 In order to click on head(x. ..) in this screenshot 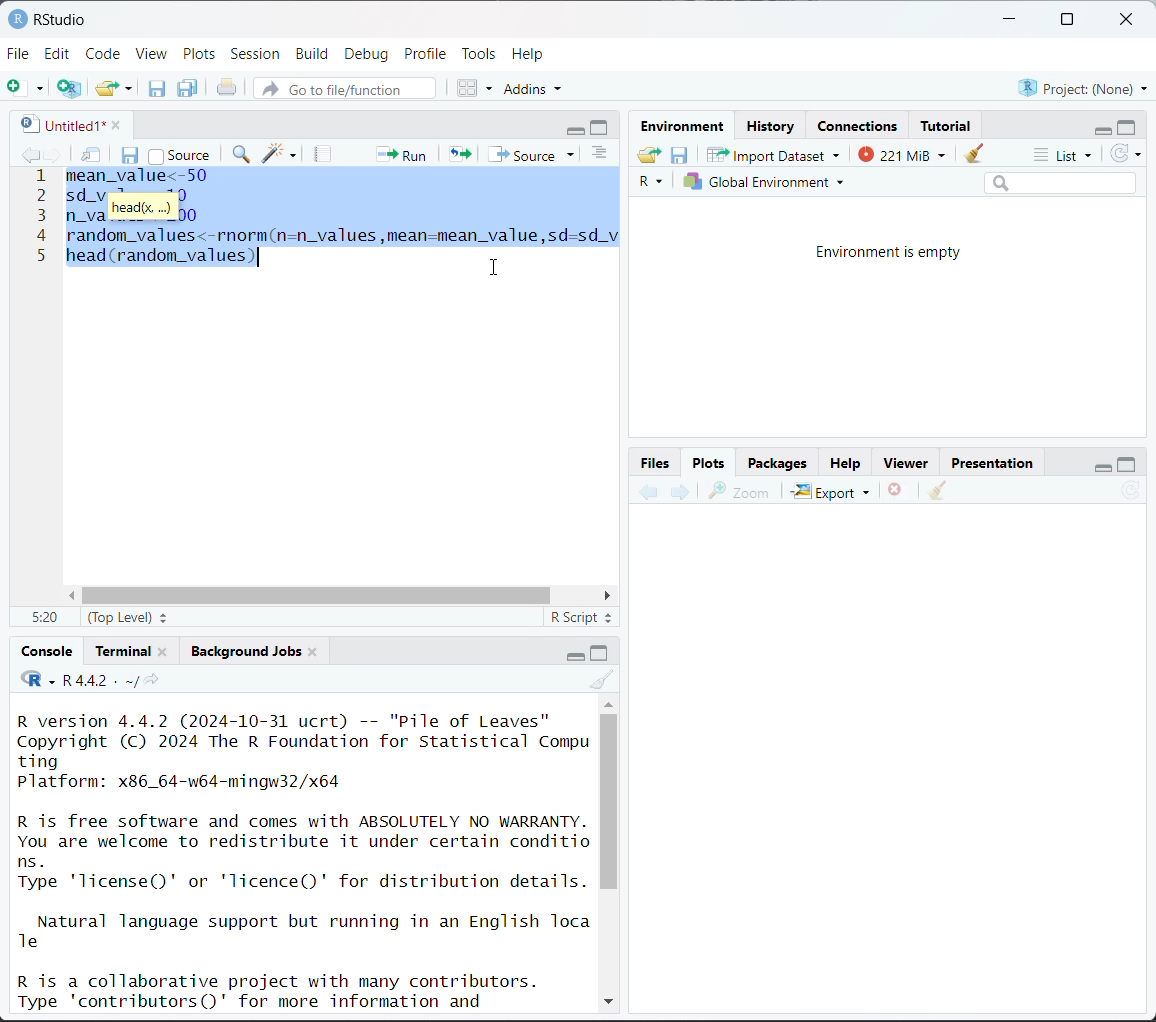, I will do `click(140, 208)`.